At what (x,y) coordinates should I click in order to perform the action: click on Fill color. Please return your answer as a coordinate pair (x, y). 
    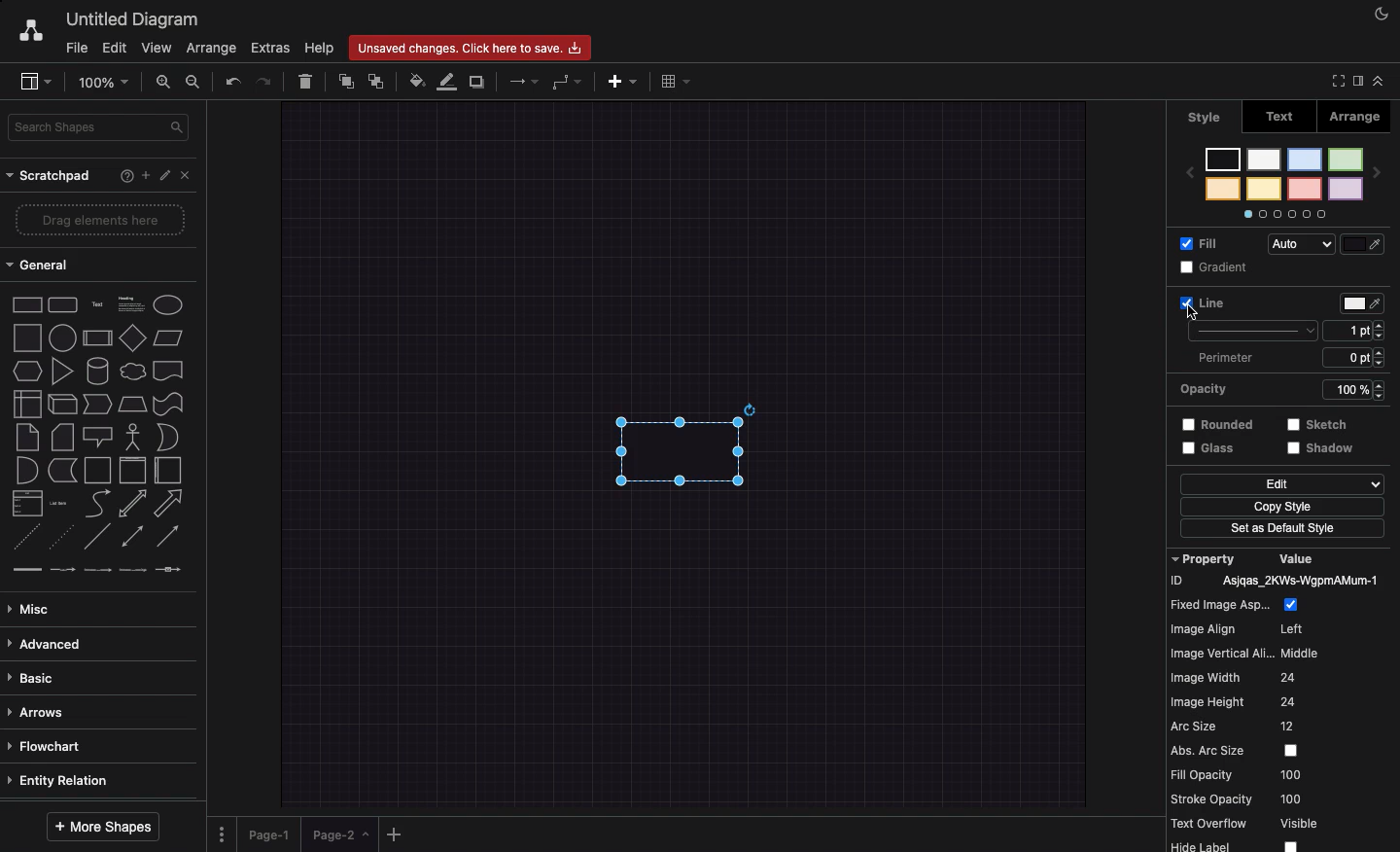
    Looking at the image, I should click on (419, 79).